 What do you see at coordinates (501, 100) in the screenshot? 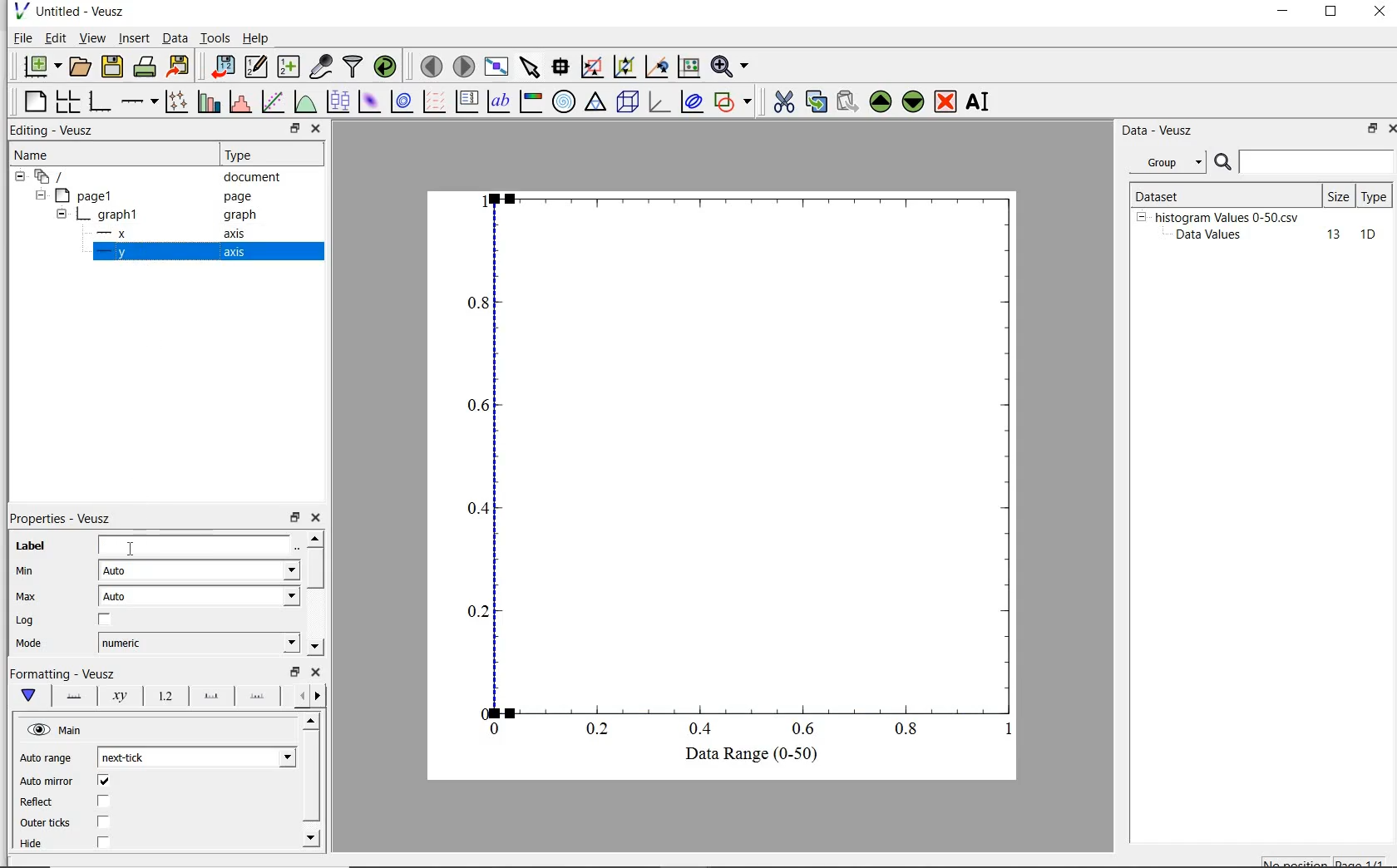
I see `text label` at bounding box center [501, 100].